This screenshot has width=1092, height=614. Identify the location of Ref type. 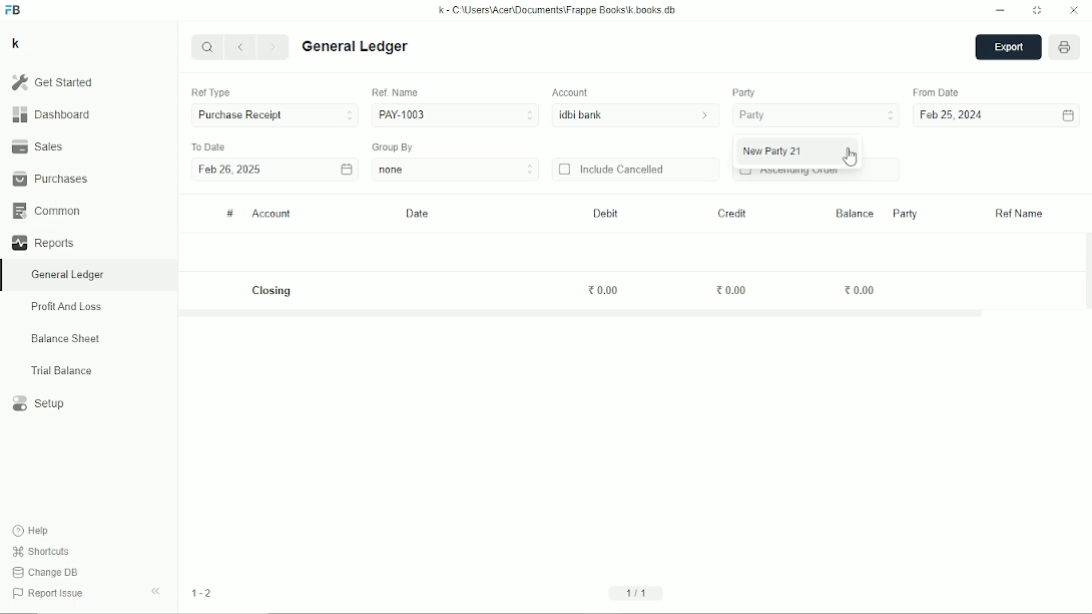
(210, 93).